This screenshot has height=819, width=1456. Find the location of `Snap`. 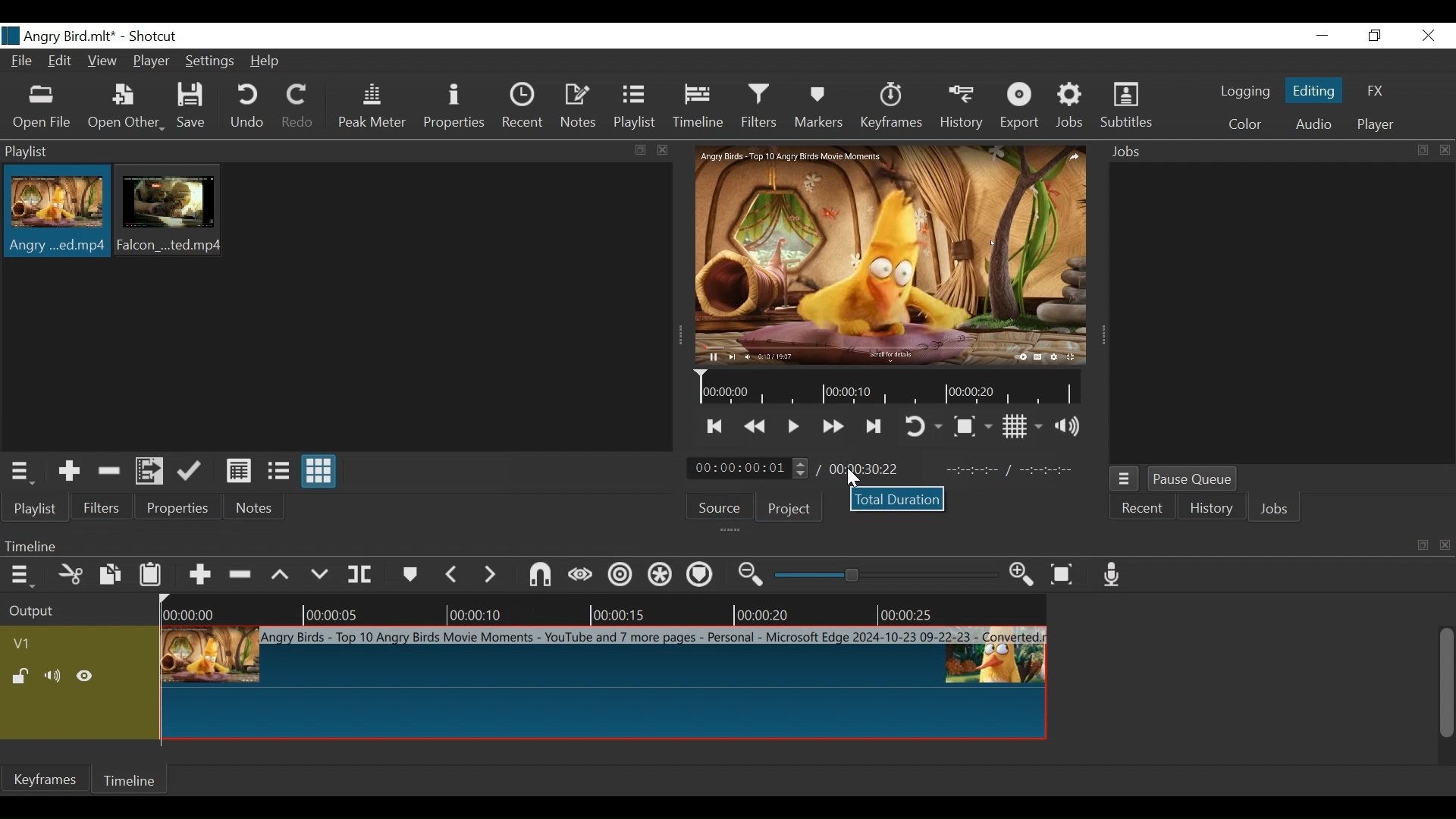

Snap is located at coordinates (538, 576).